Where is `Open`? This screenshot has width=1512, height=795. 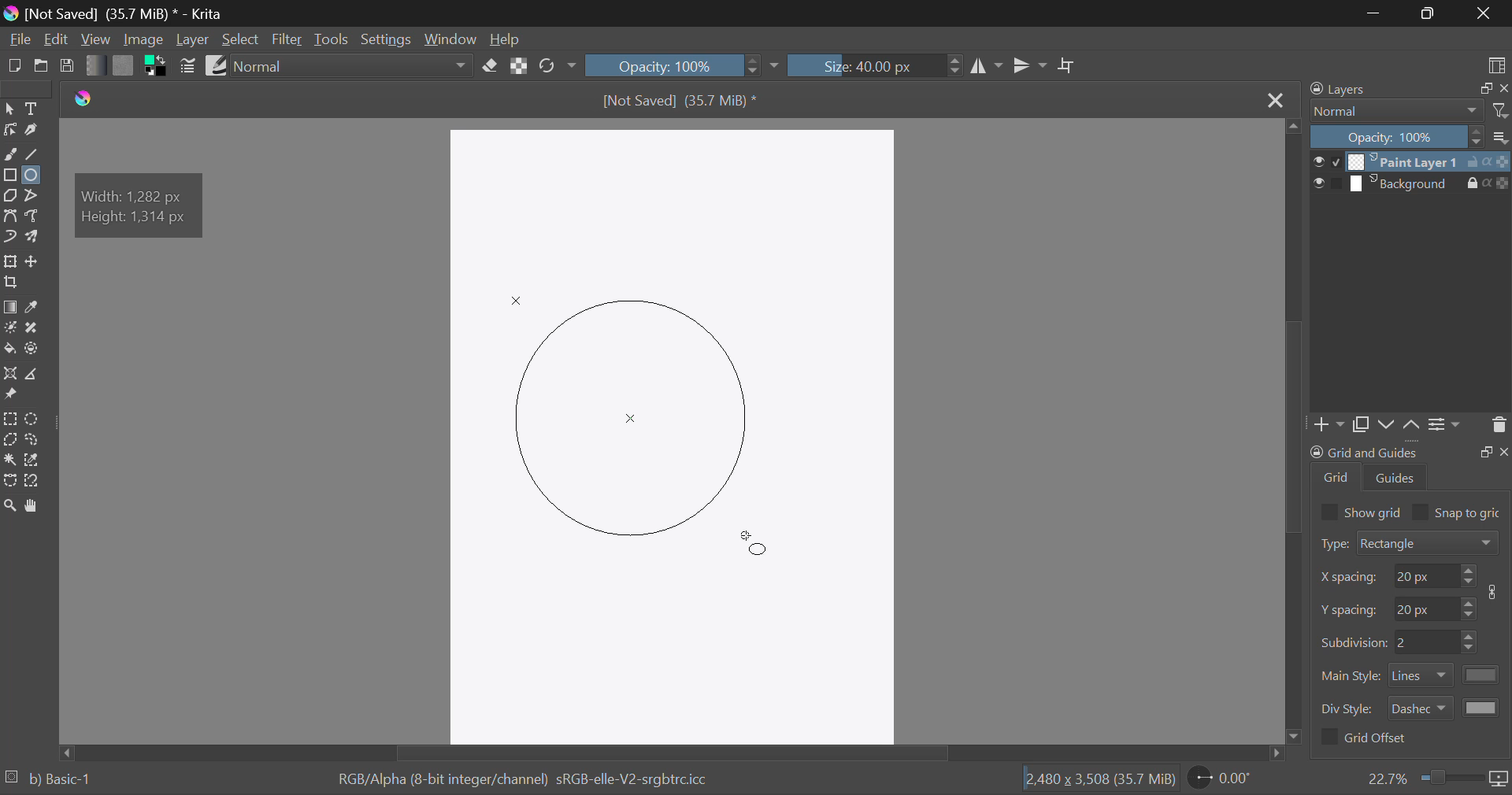
Open is located at coordinates (43, 65).